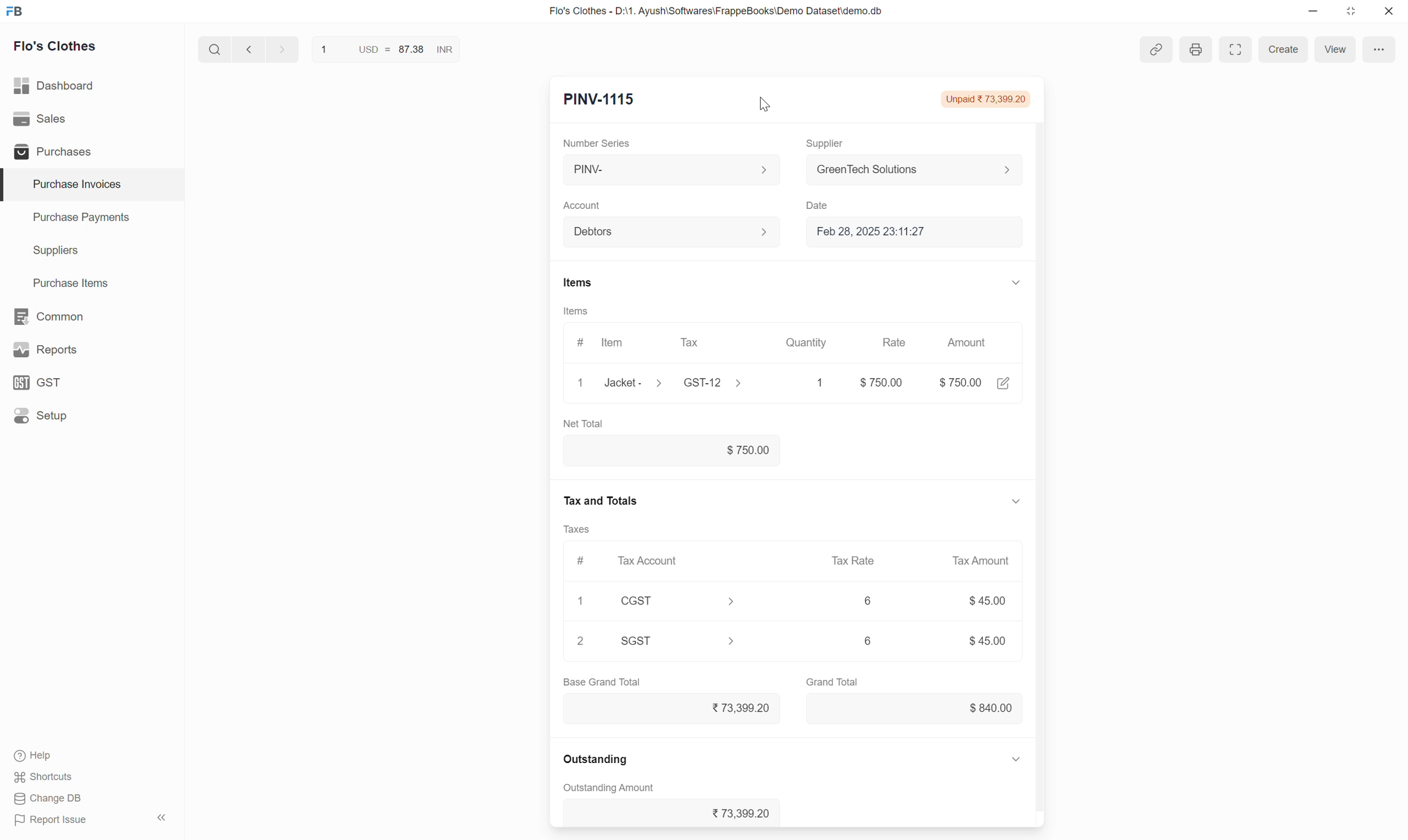 This screenshot has width=1408, height=840. Describe the element at coordinates (14, 11) in the screenshot. I see `Frappe Books logo` at that location.